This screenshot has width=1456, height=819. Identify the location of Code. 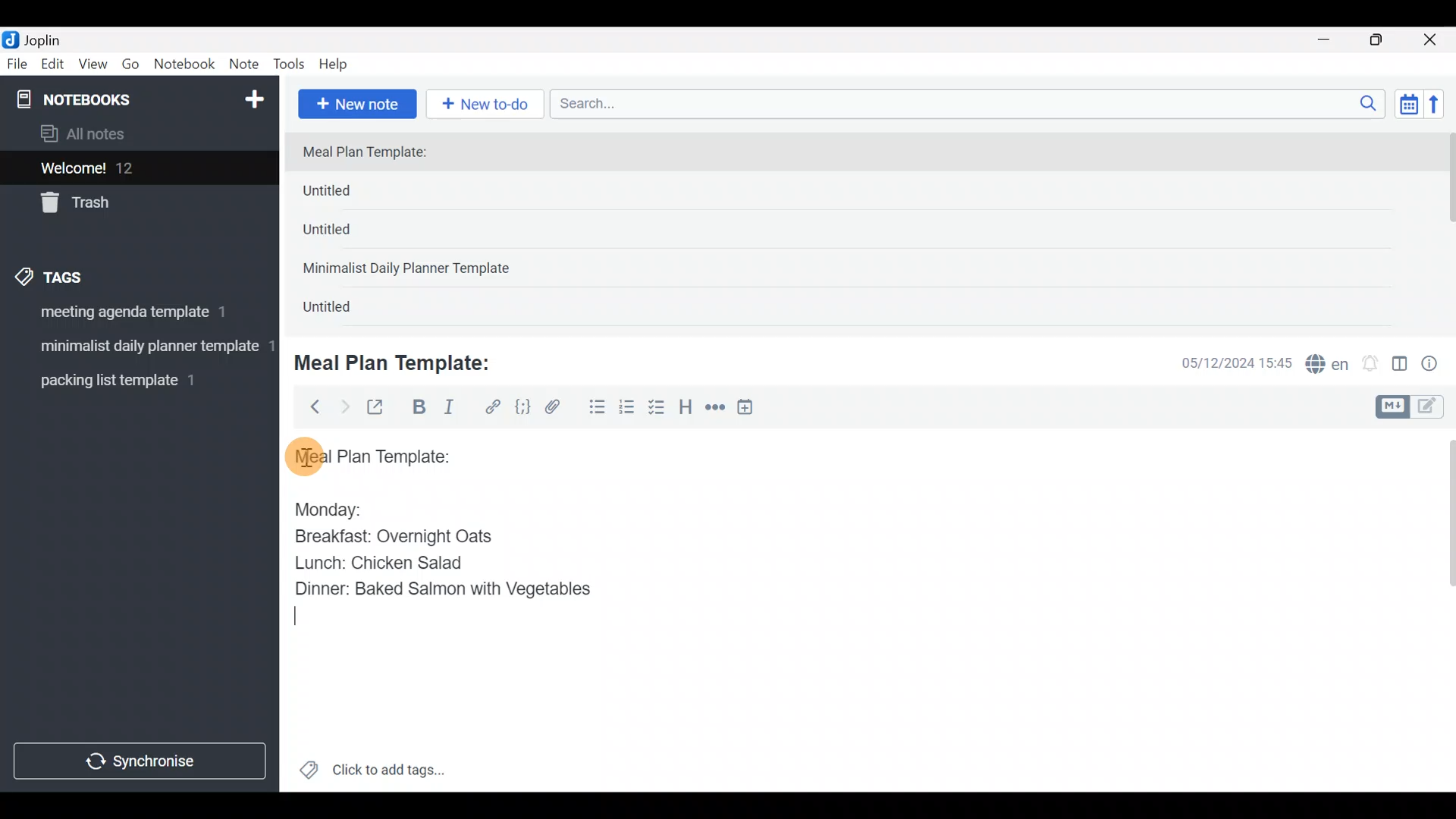
(521, 406).